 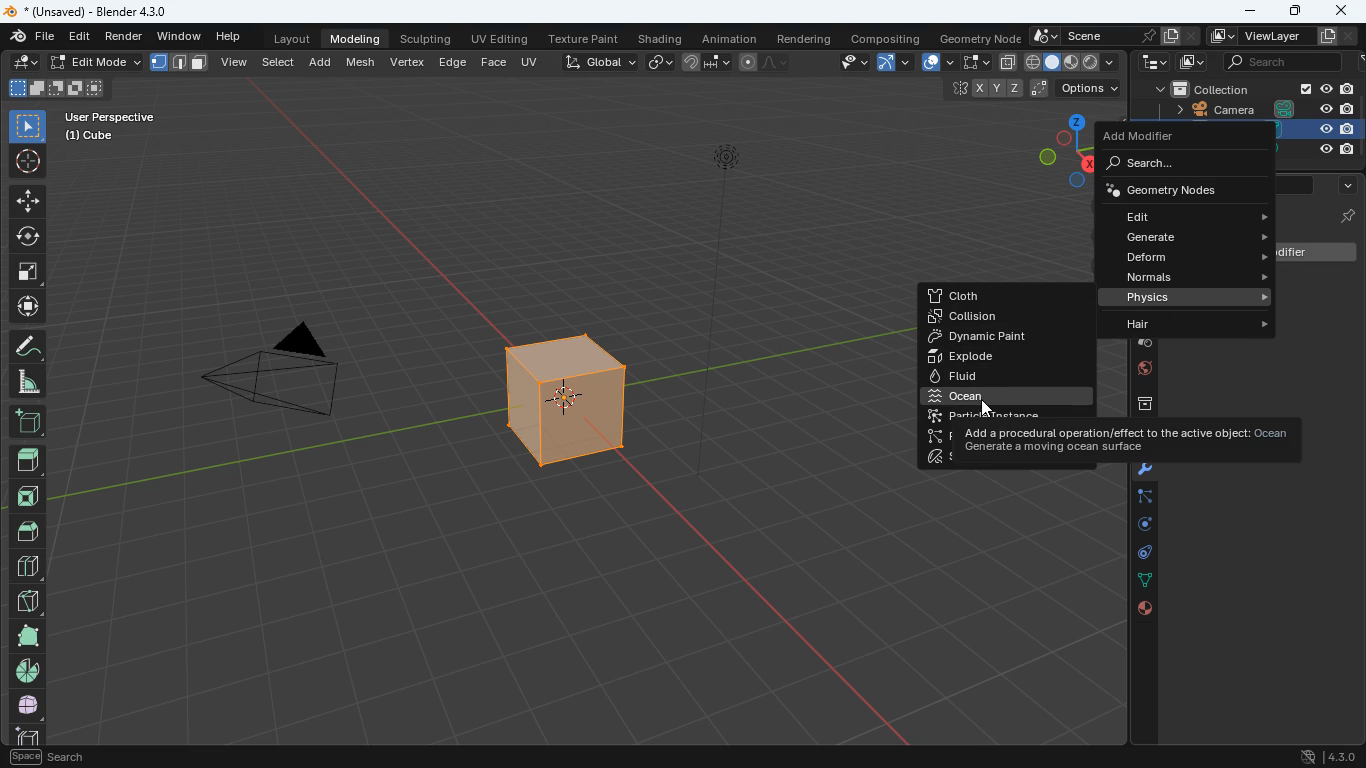 What do you see at coordinates (27, 460) in the screenshot?
I see `head` at bounding box center [27, 460].